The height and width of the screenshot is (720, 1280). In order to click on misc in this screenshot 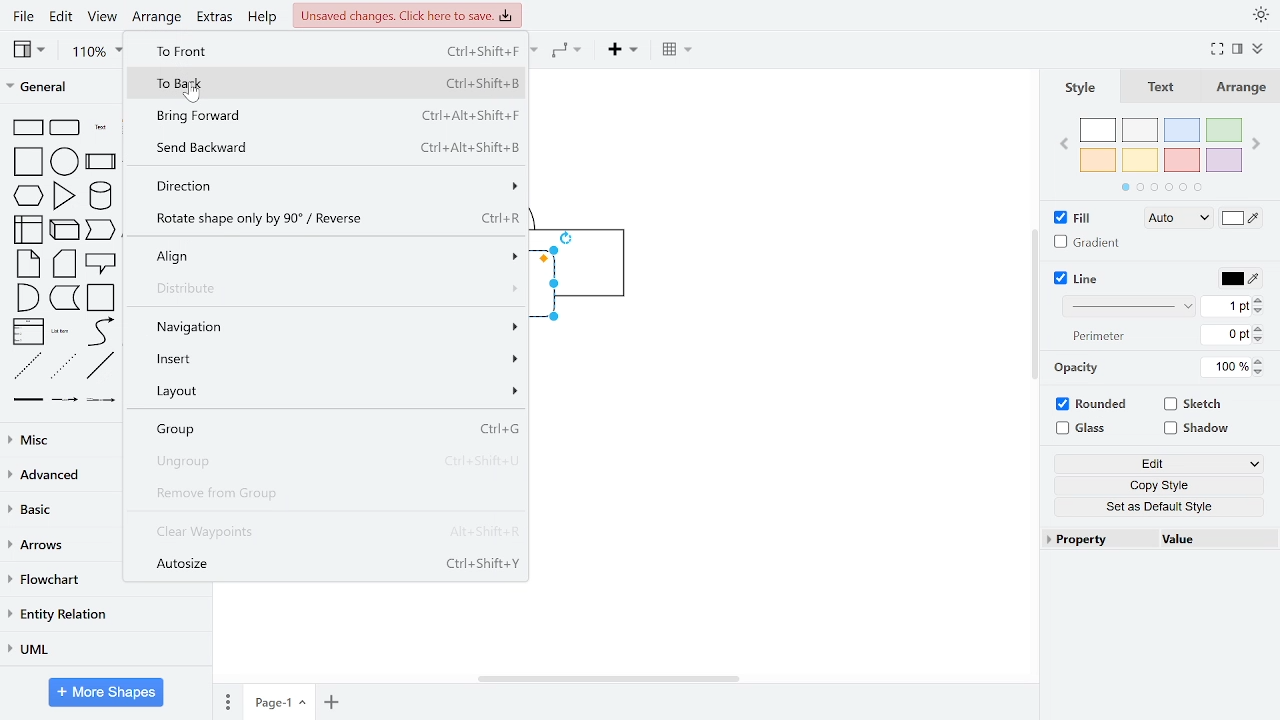, I will do `click(61, 438)`.